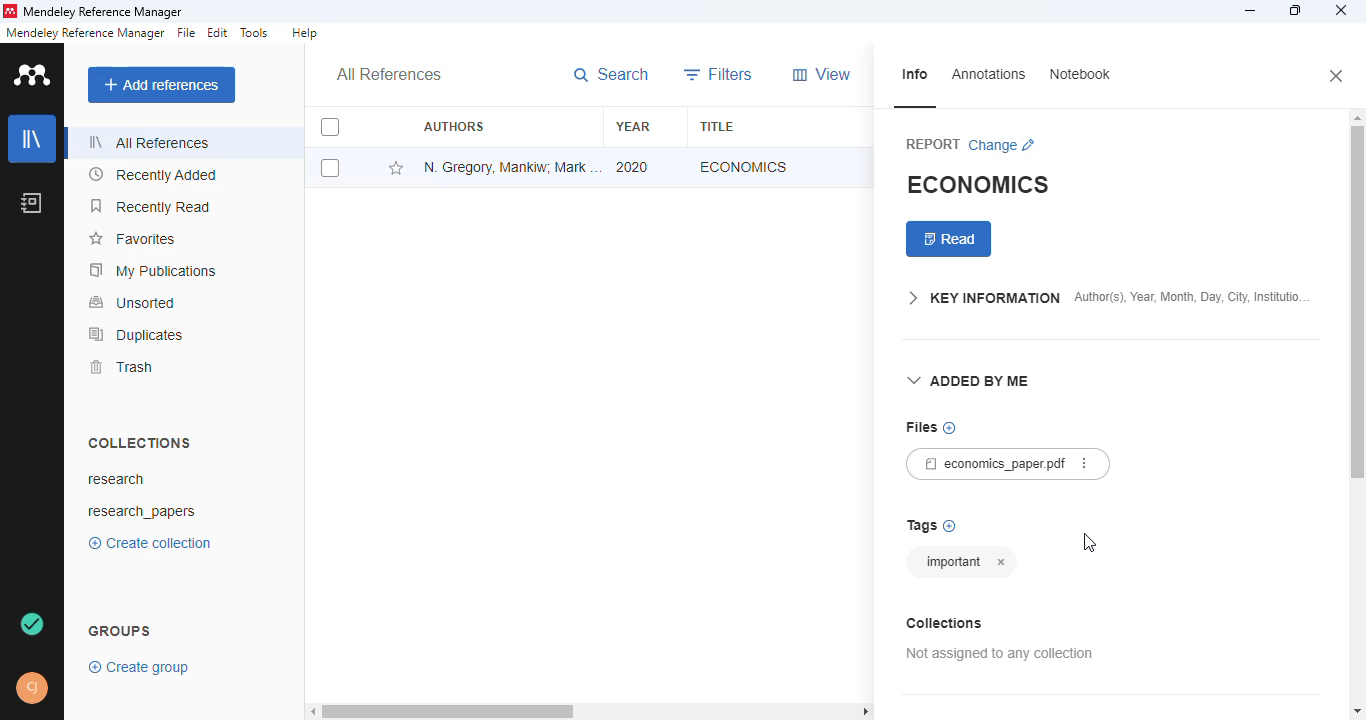  I want to click on recently added, so click(151, 175).